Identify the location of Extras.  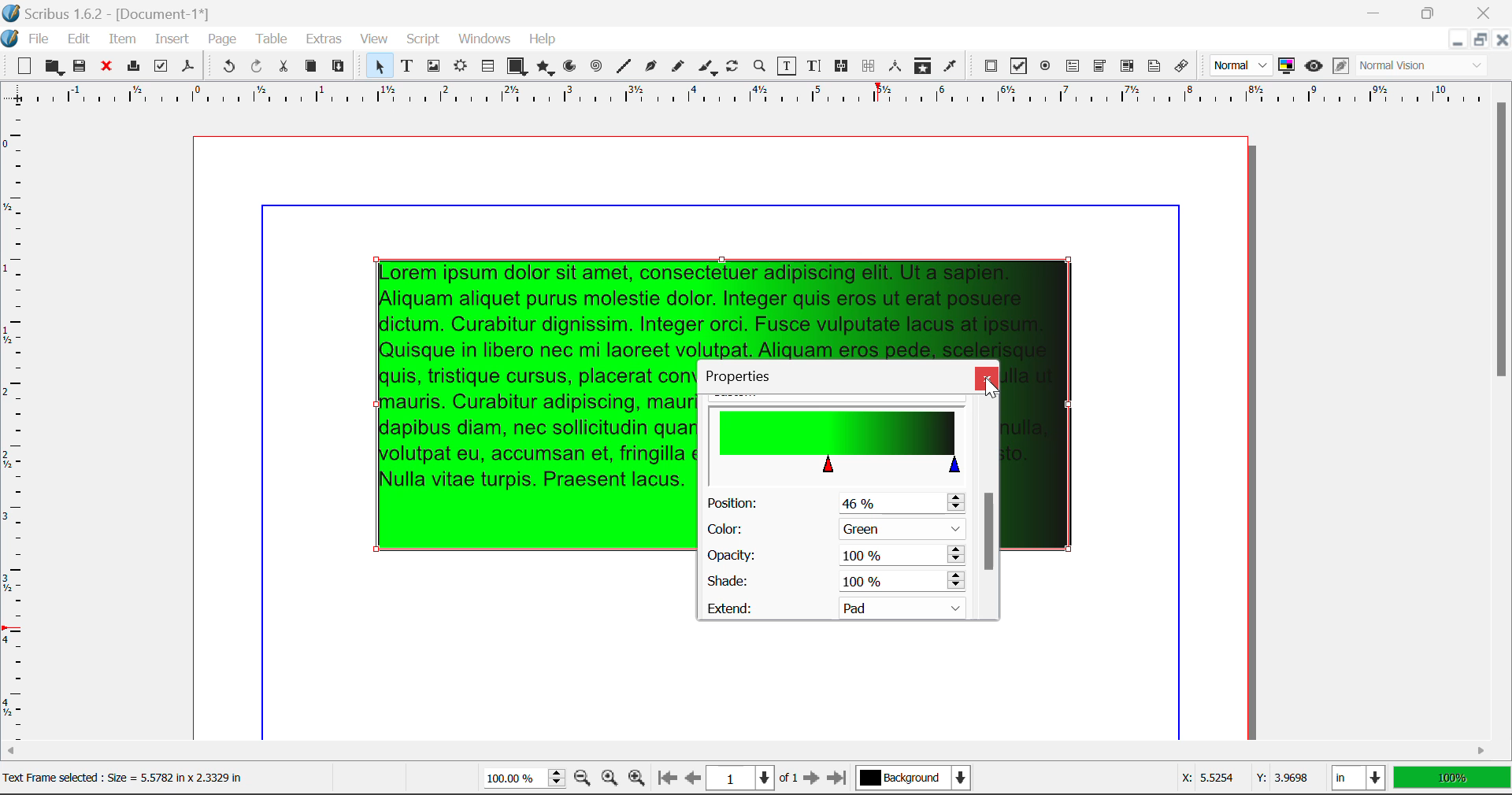
(326, 39).